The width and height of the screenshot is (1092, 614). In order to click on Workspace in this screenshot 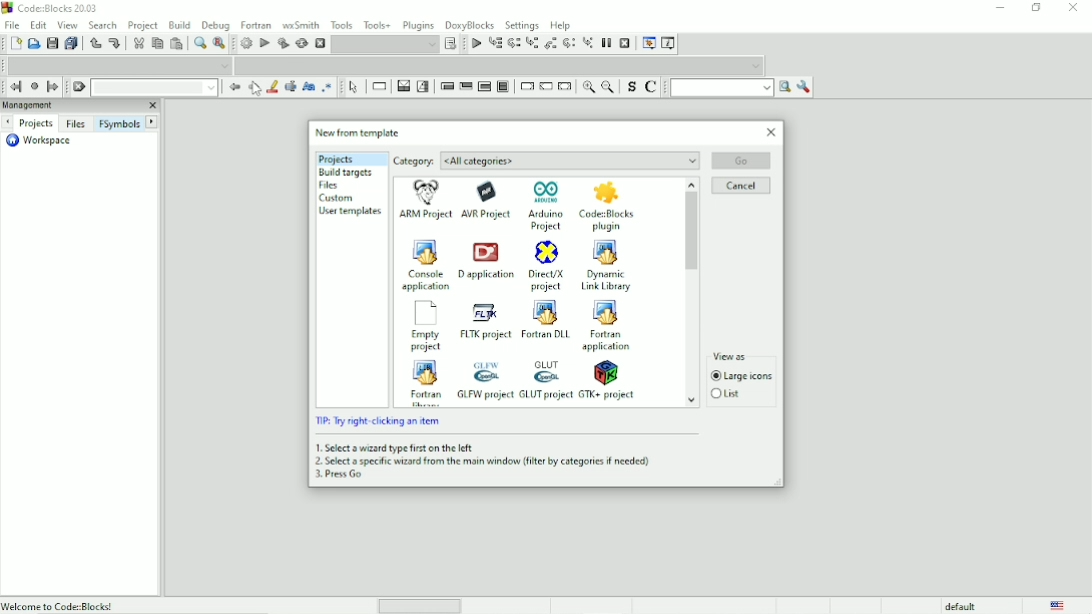, I will do `click(44, 141)`.